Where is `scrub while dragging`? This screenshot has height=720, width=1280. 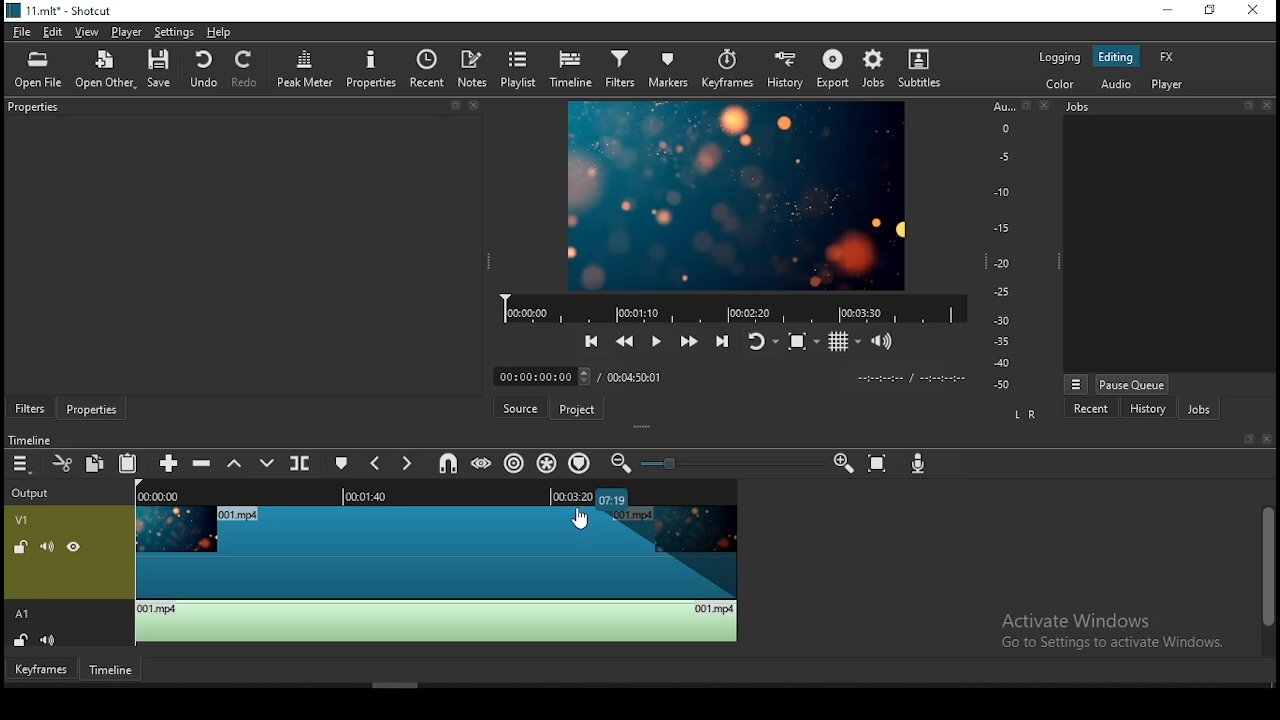 scrub while dragging is located at coordinates (484, 463).